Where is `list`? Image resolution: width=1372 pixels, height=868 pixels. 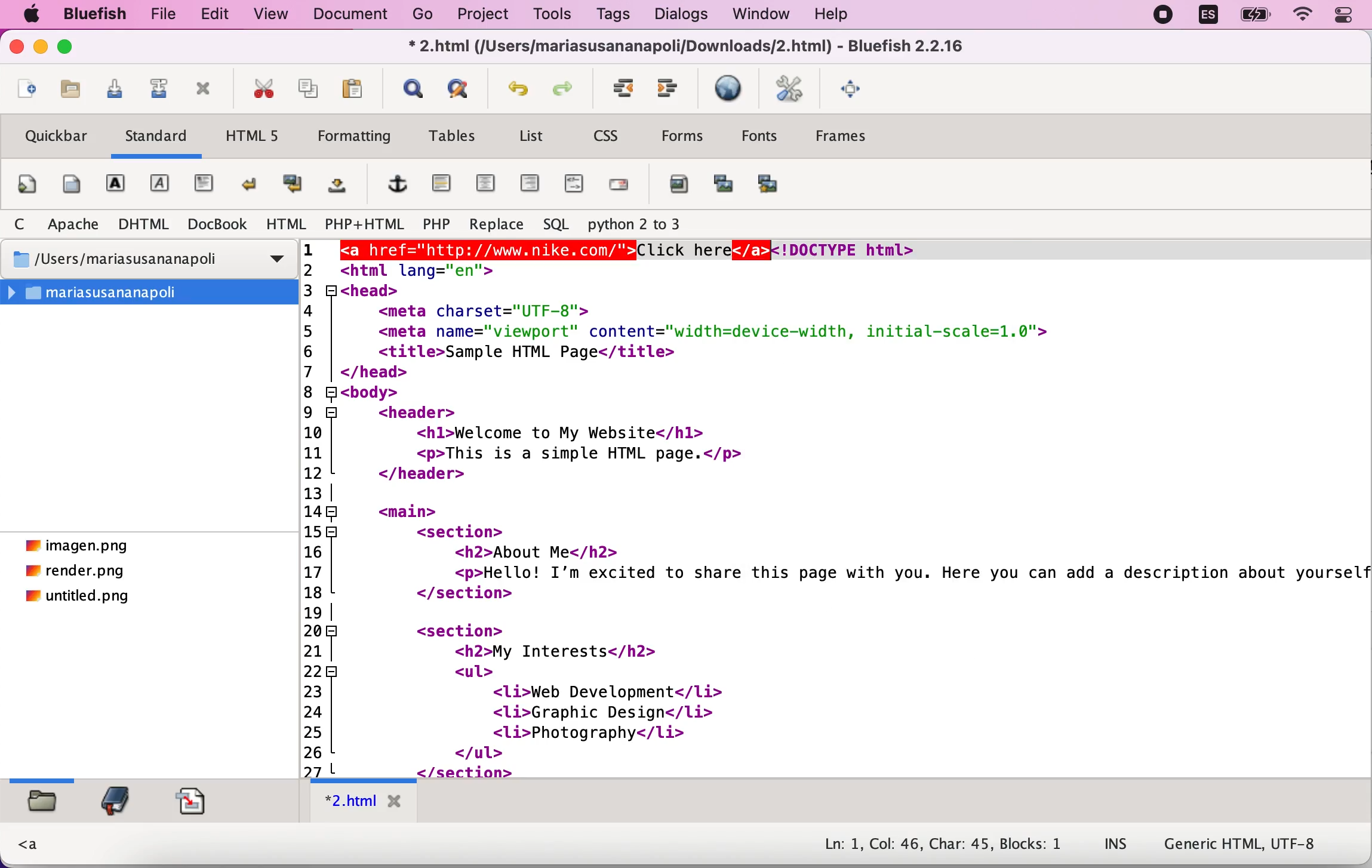 list is located at coordinates (531, 138).